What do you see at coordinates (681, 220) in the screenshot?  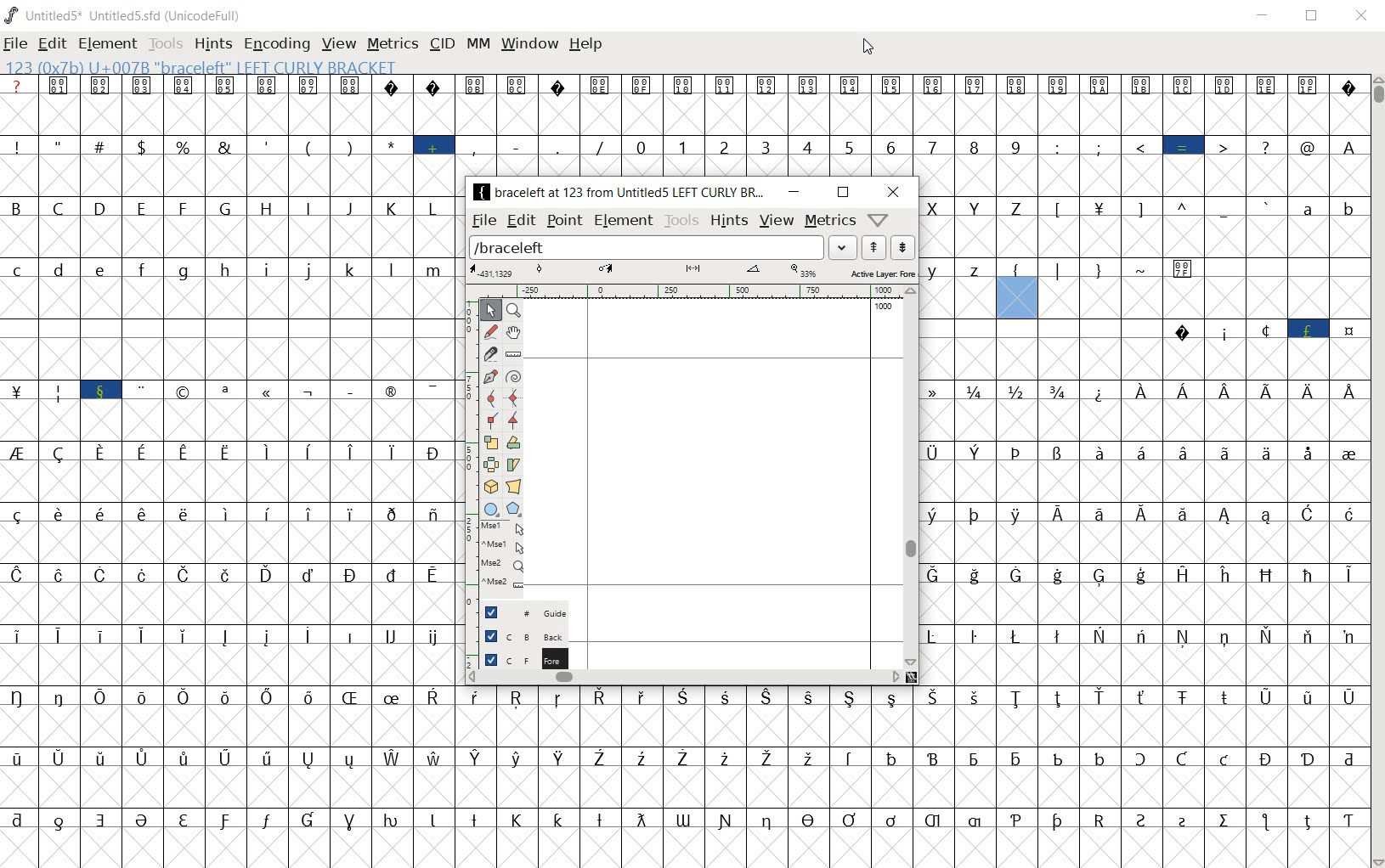 I see `tools` at bounding box center [681, 220].